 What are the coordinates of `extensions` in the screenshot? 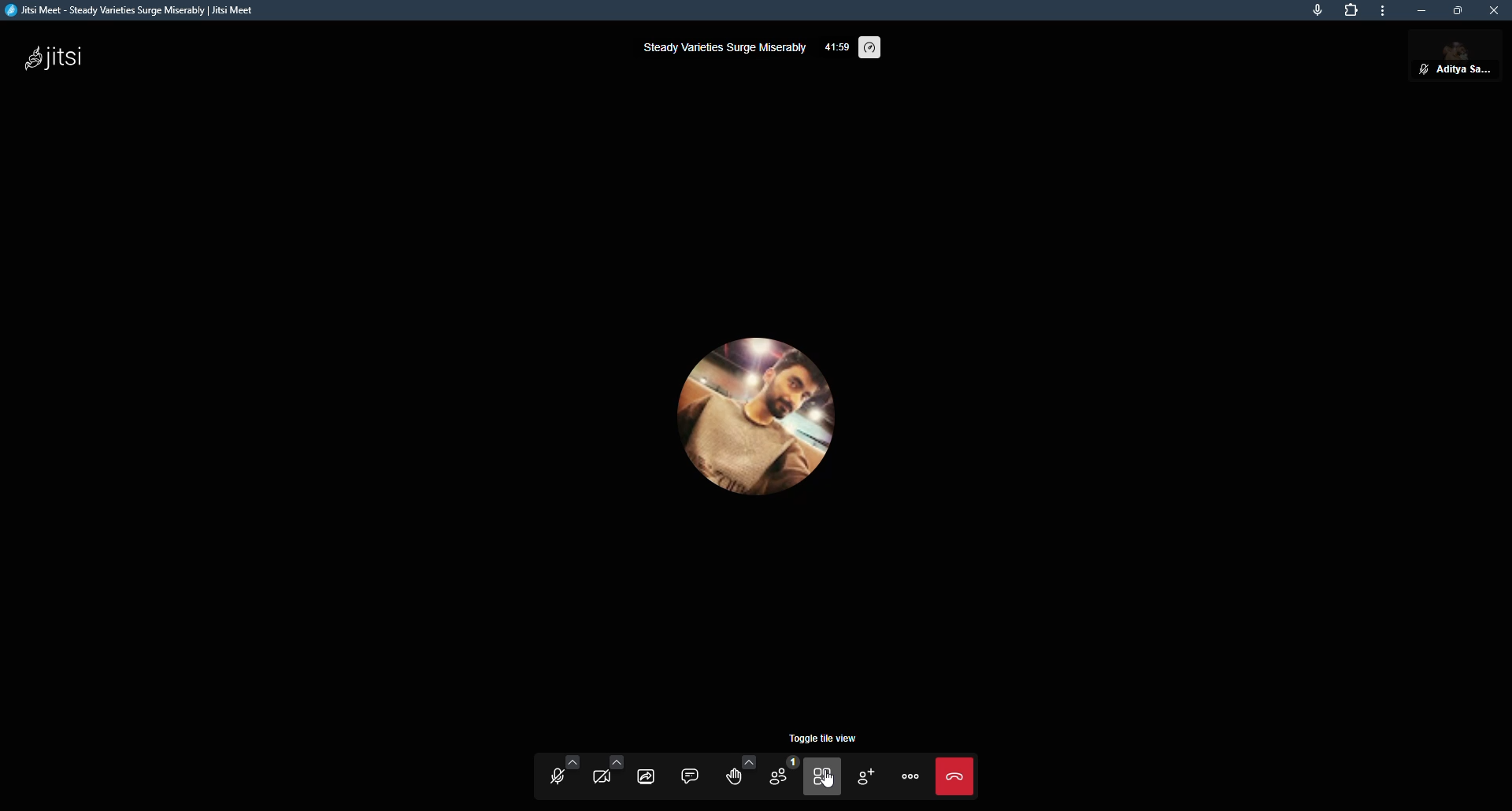 It's located at (1352, 11).